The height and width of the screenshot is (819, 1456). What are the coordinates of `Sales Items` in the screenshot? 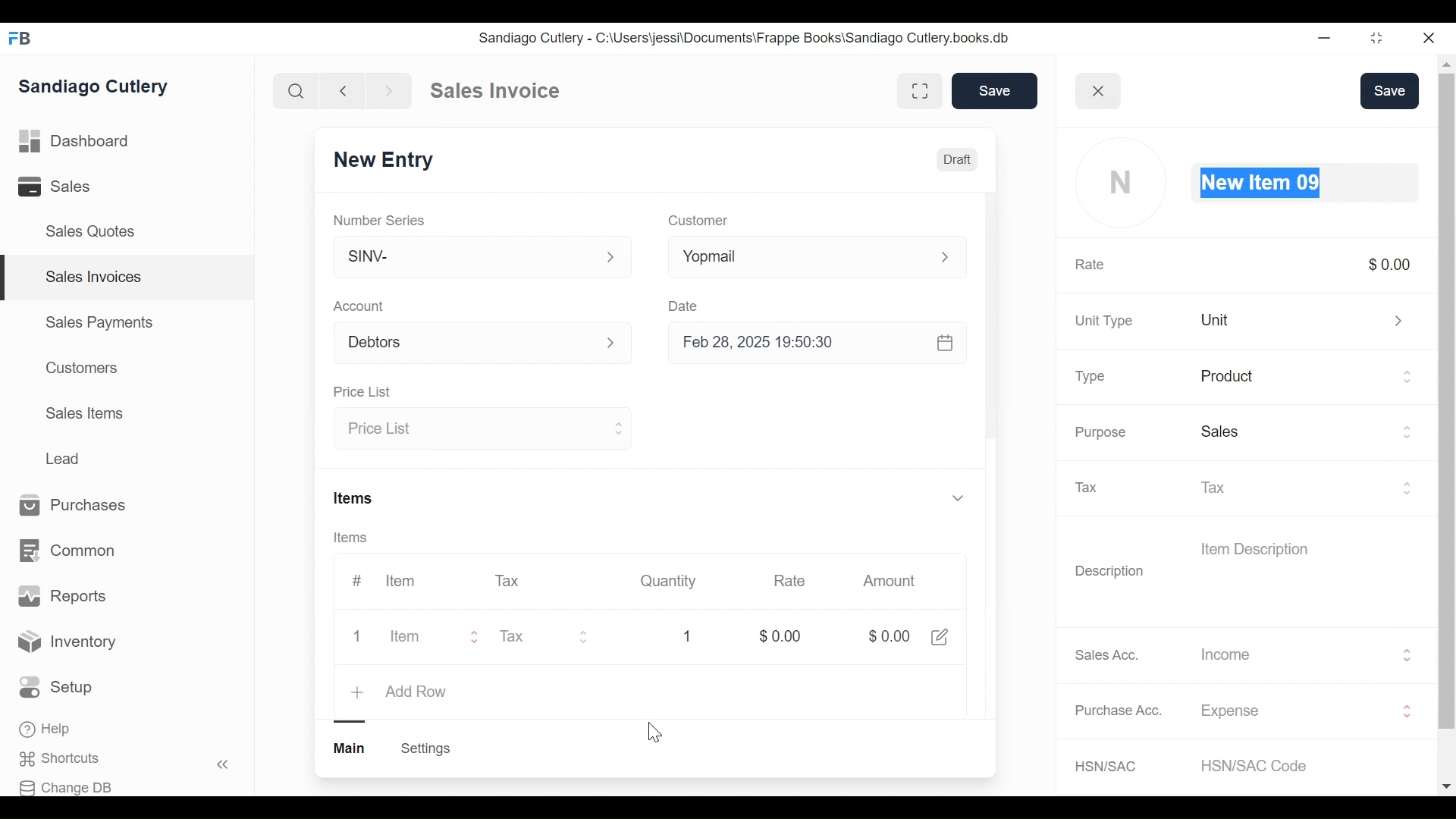 It's located at (84, 412).